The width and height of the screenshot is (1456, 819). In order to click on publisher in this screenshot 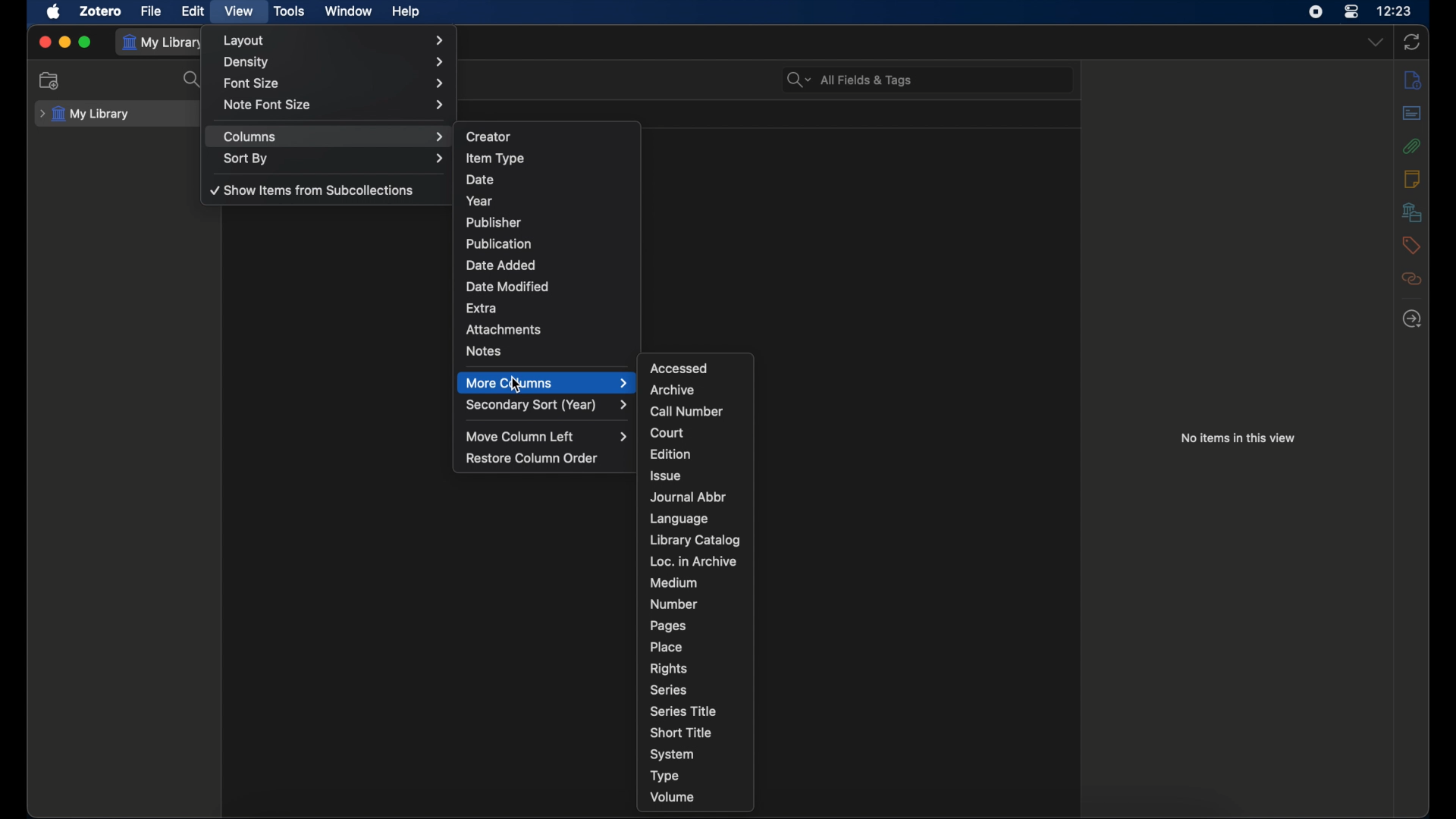, I will do `click(493, 222)`.